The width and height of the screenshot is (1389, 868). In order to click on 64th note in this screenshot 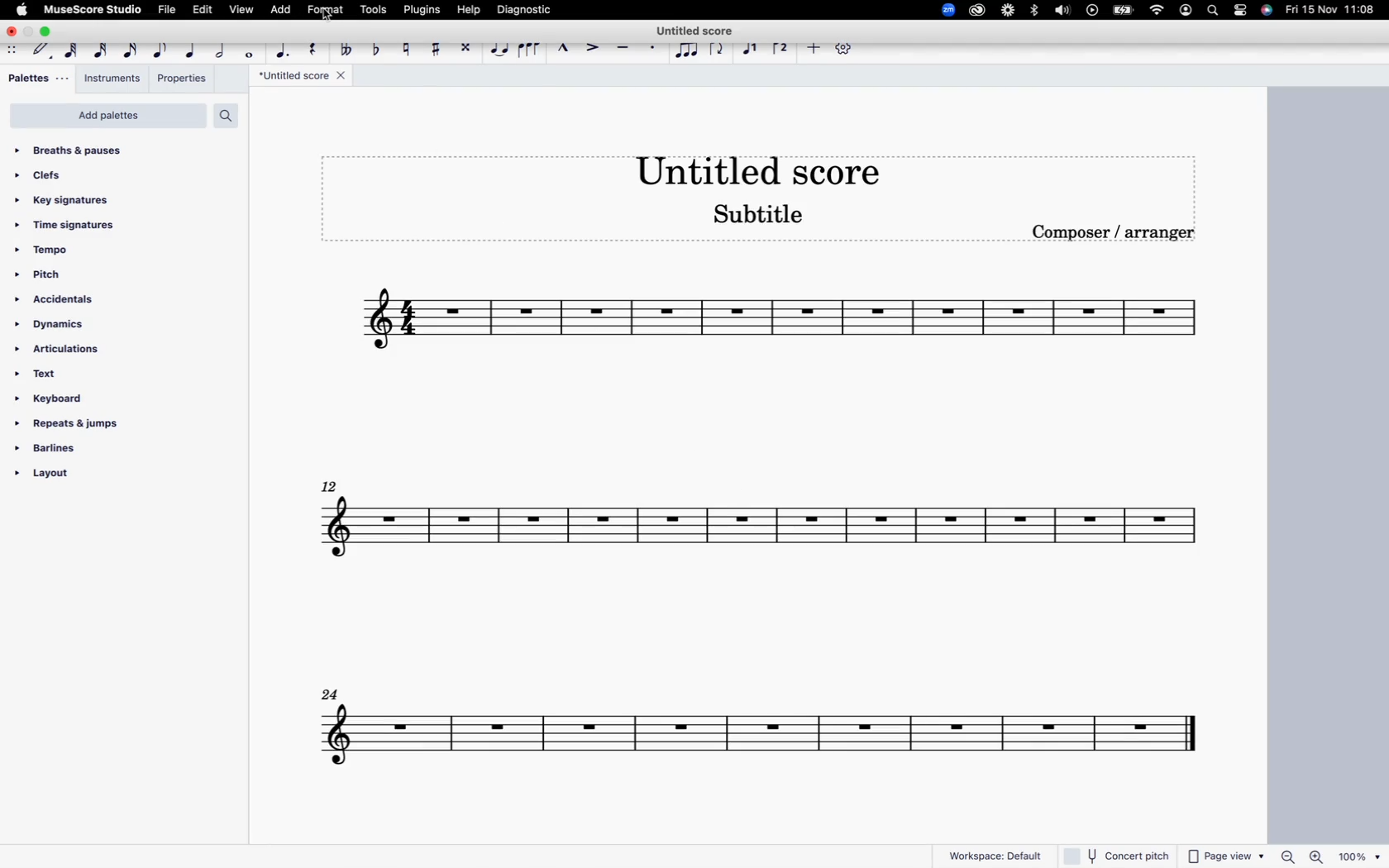, I will do `click(71, 52)`.